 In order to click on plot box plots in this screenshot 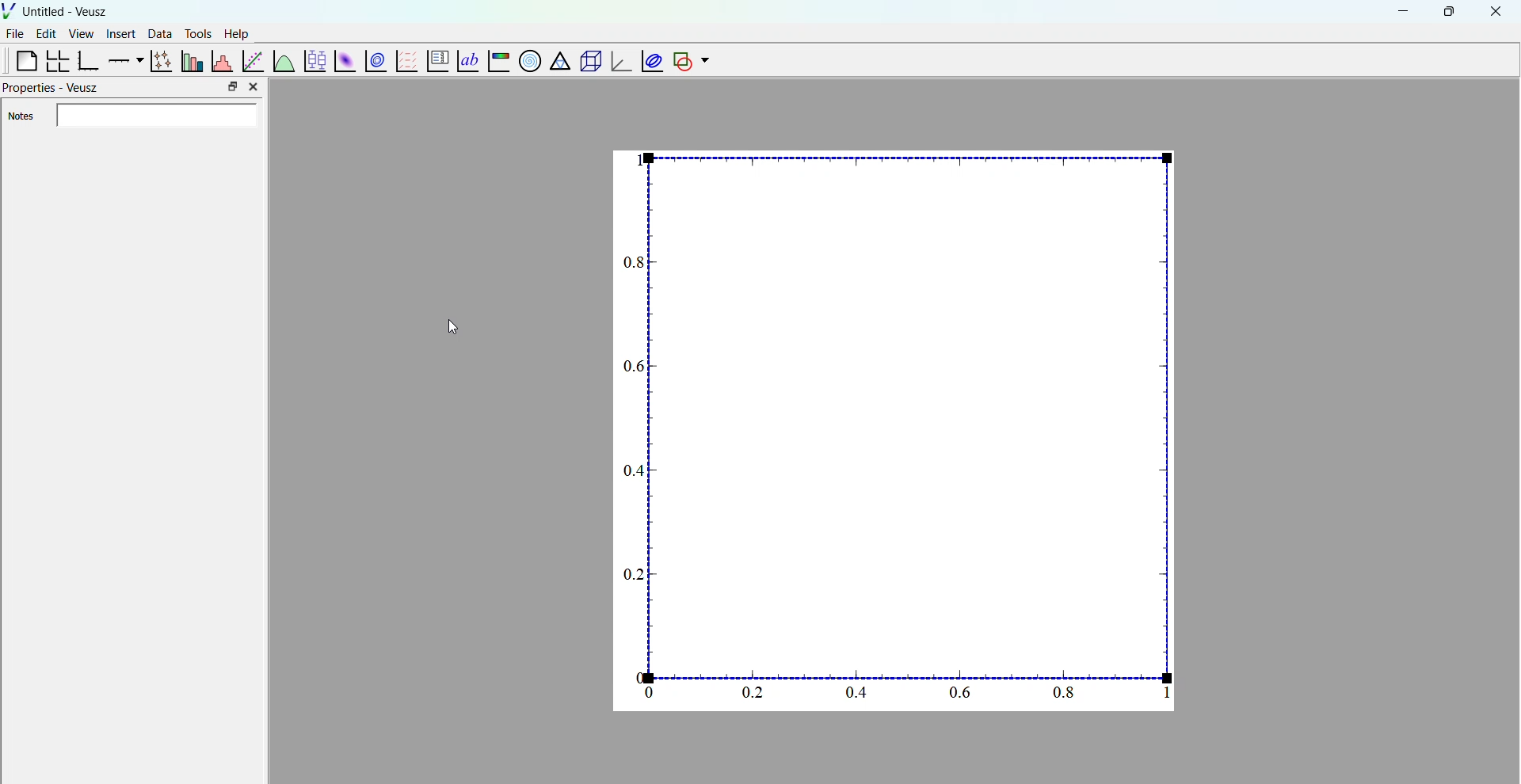, I will do `click(314, 61)`.